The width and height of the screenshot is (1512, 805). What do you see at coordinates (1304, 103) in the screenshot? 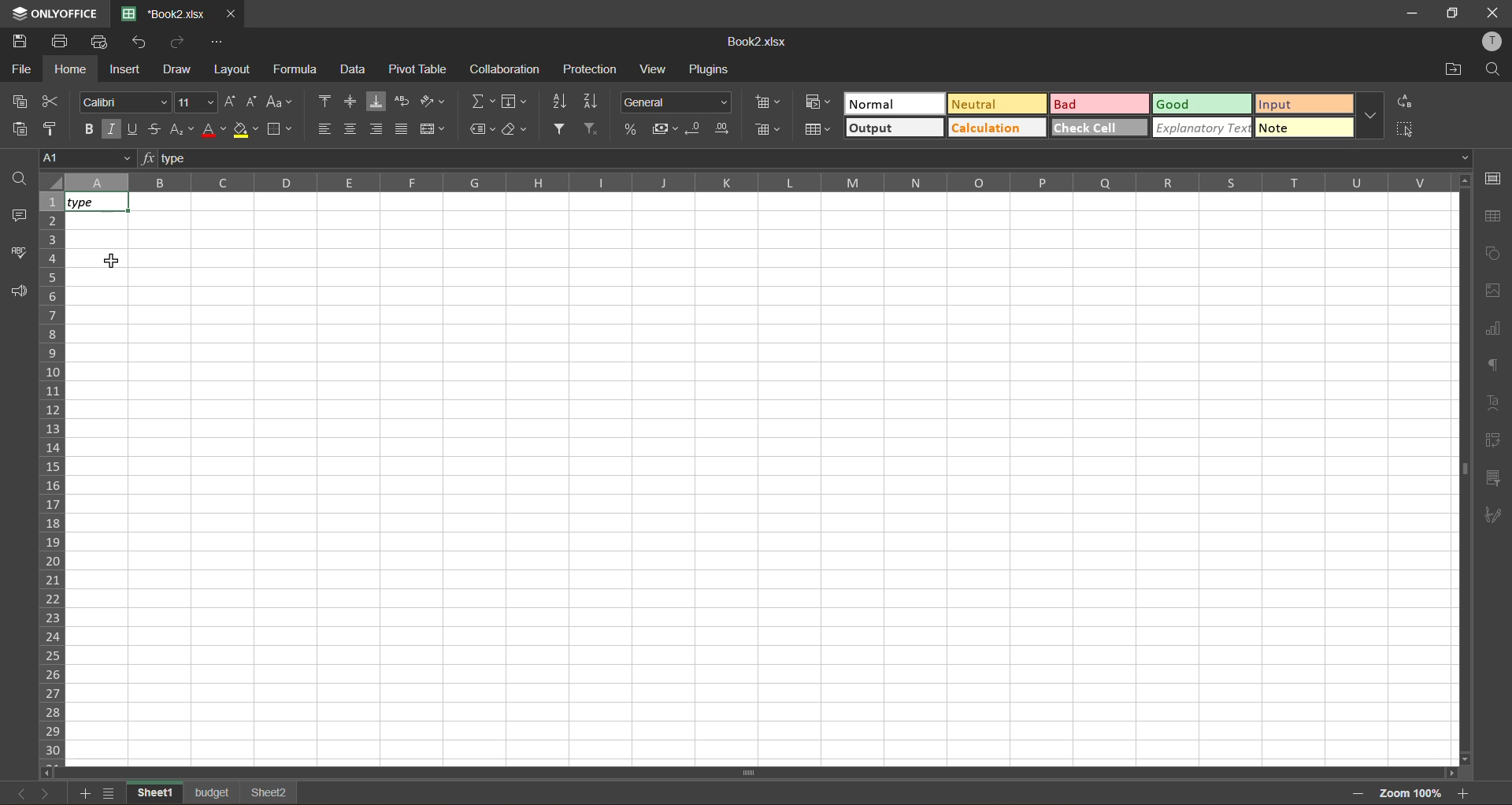
I see `input` at bounding box center [1304, 103].